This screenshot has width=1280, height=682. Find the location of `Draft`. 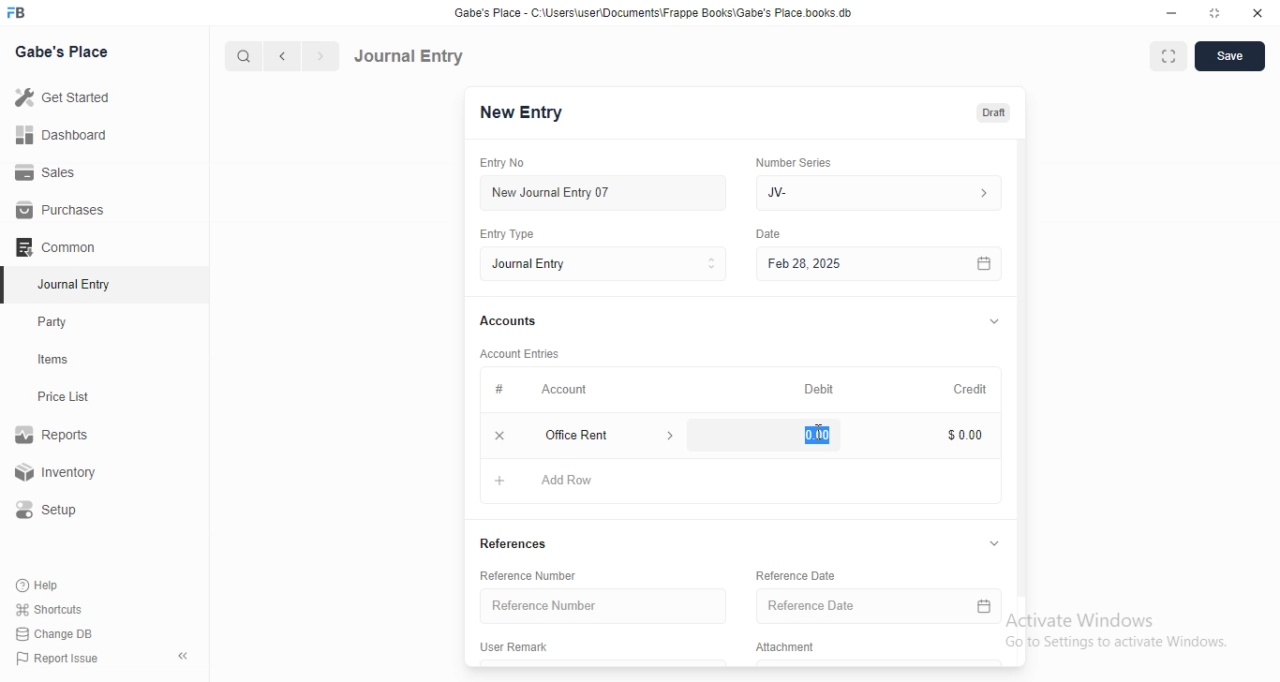

Draft is located at coordinates (993, 113).